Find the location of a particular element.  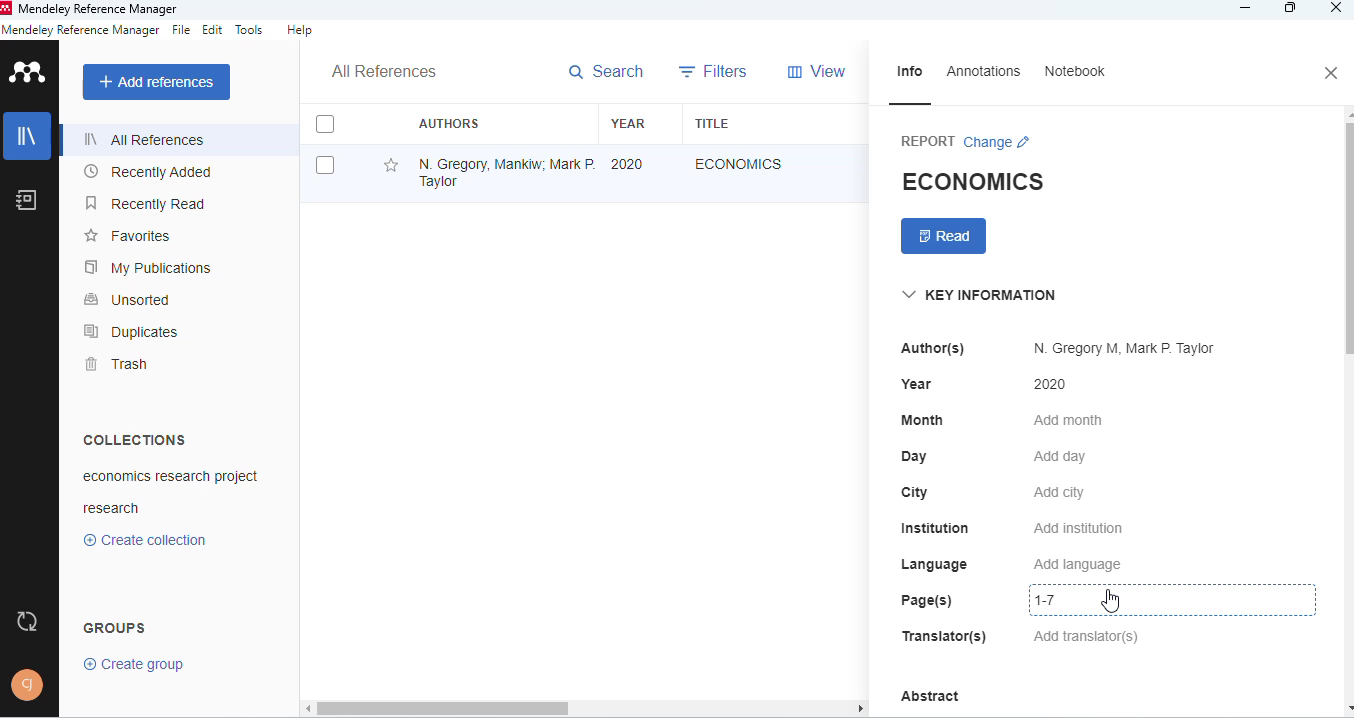

add this reference to favorites is located at coordinates (392, 166).